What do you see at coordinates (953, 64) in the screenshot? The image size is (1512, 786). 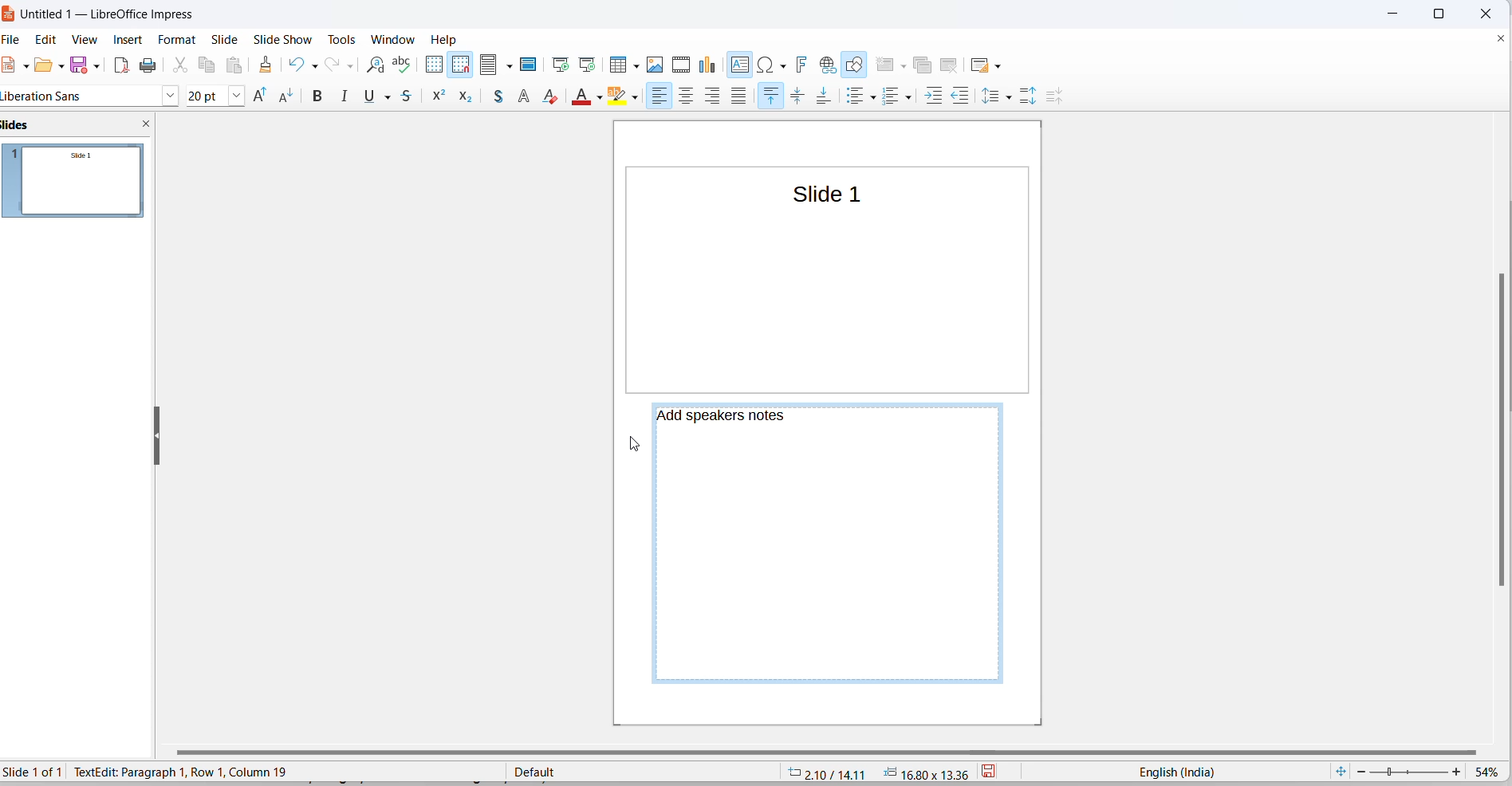 I see `delete slide` at bounding box center [953, 64].